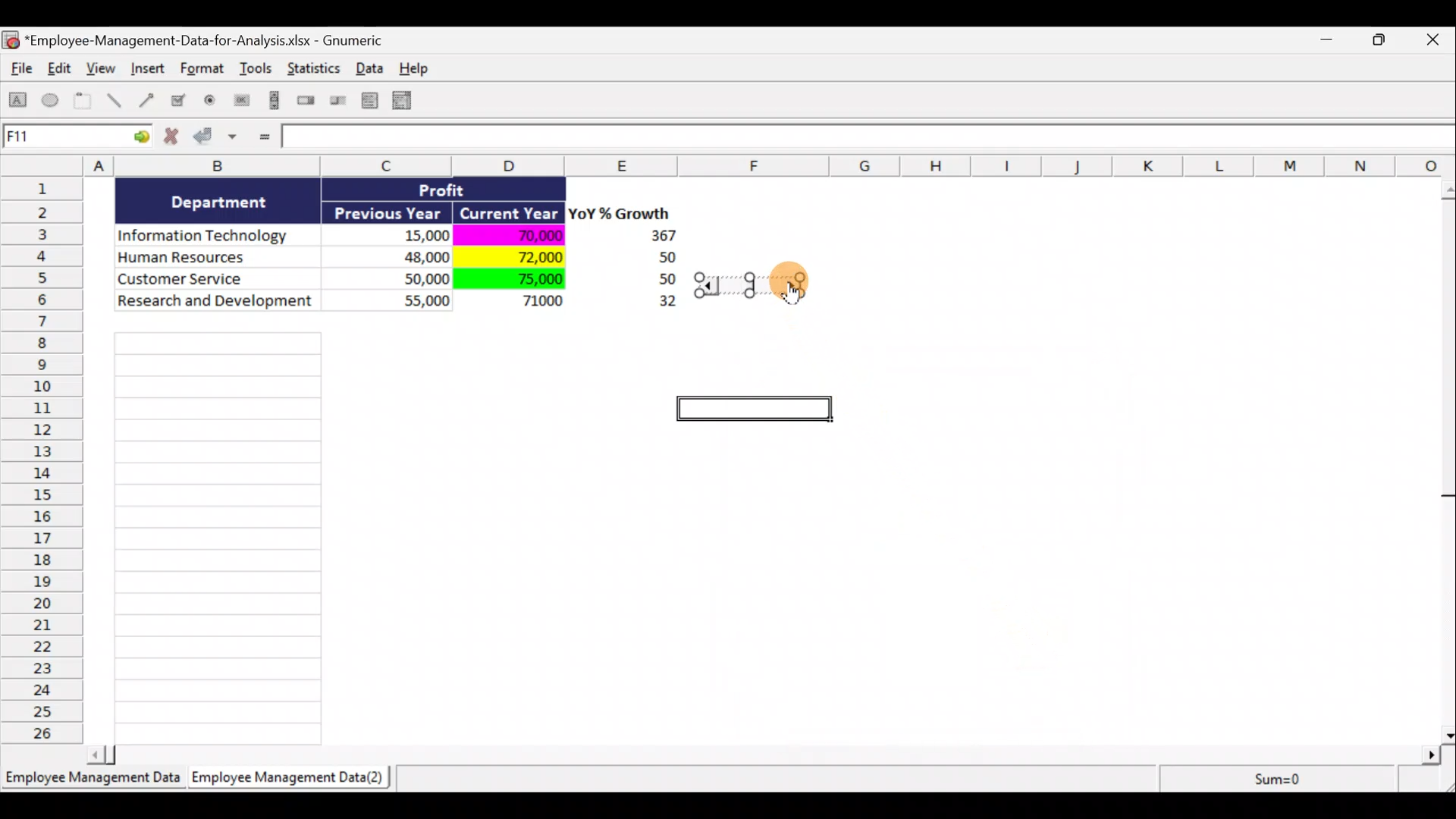 The width and height of the screenshot is (1456, 819). I want to click on View, so click(103, 68).